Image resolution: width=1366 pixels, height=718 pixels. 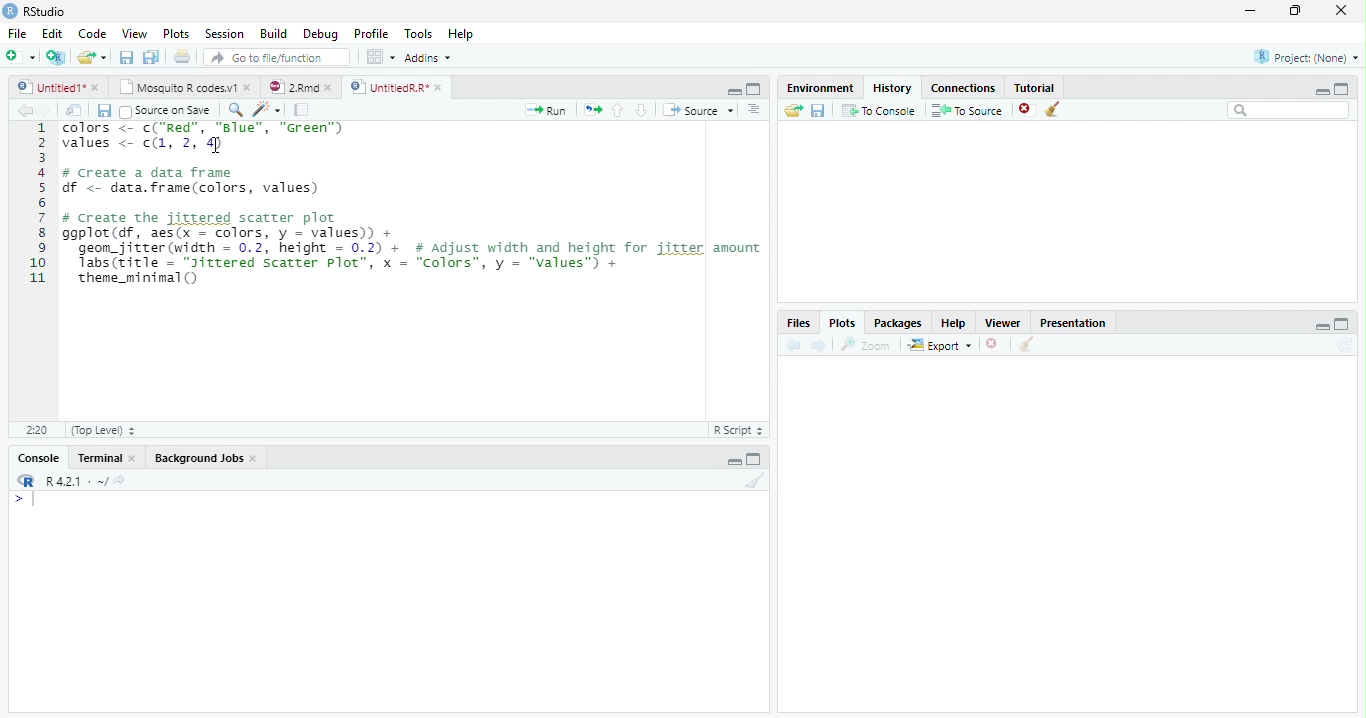 I want to click on Print the current file, so click(x=183, y=56).